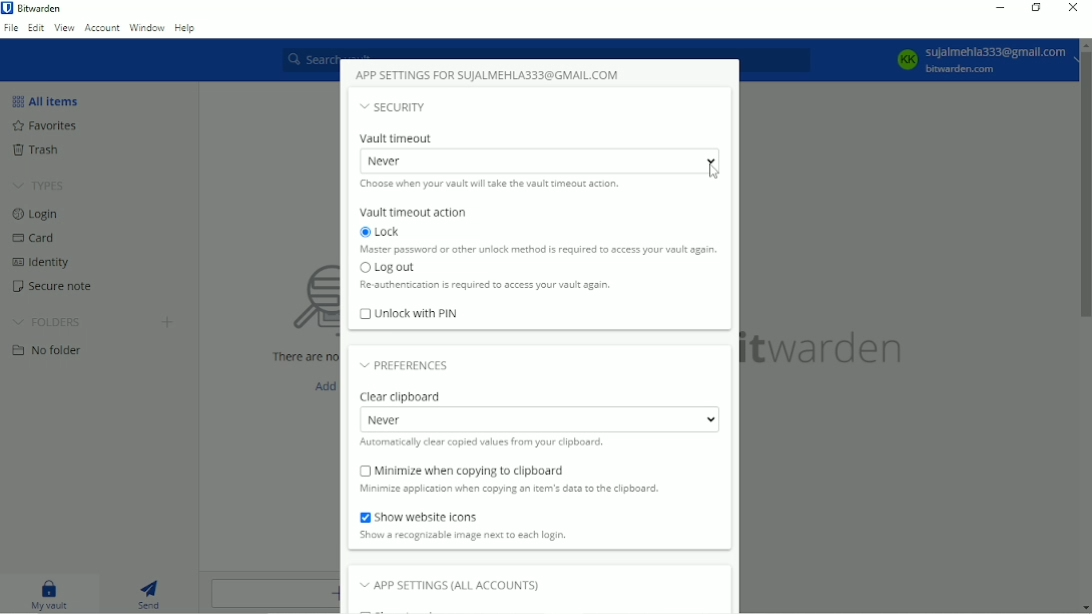 The width and height of the screenshot is (1092, 614). Describe the element at coordinates (485, 186) in the screenshot. I see `Choose when your vault will take the vault timeout action.` at that location.